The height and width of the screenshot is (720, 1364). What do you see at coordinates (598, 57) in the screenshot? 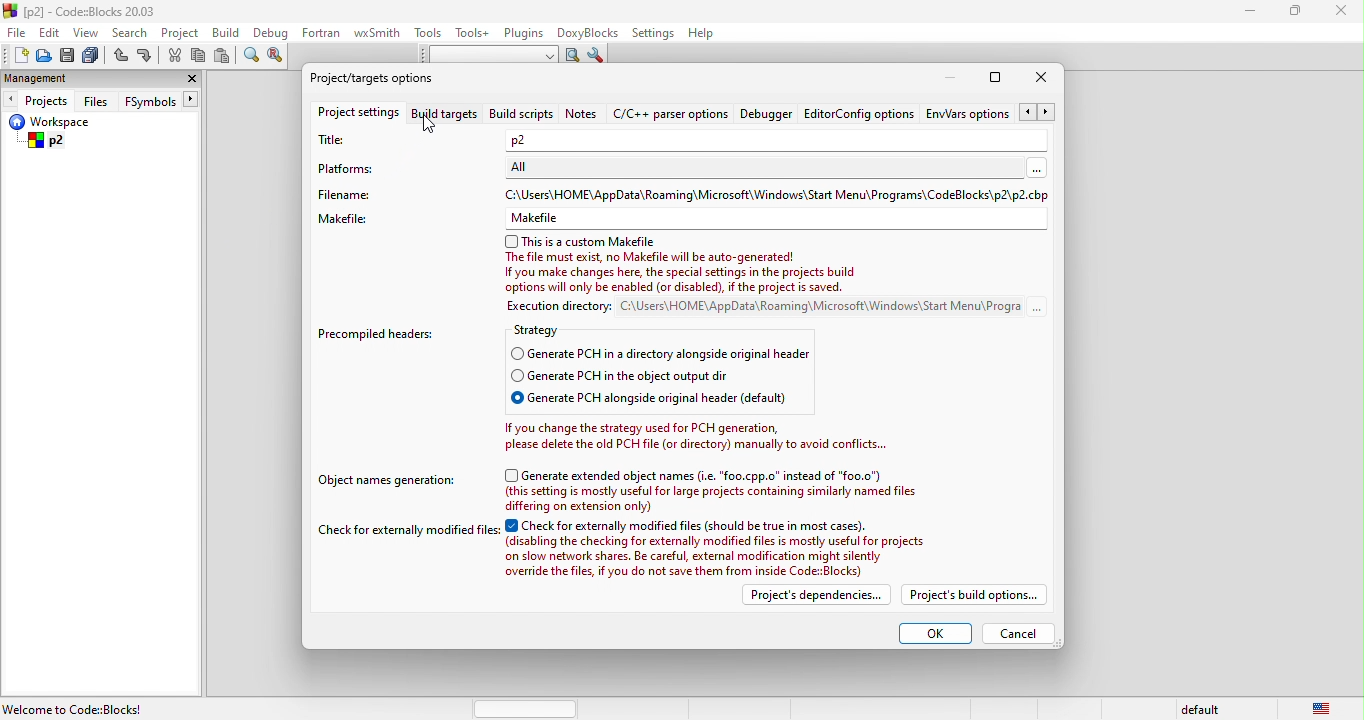
I see `show option window` at bounding box center [598, 57].